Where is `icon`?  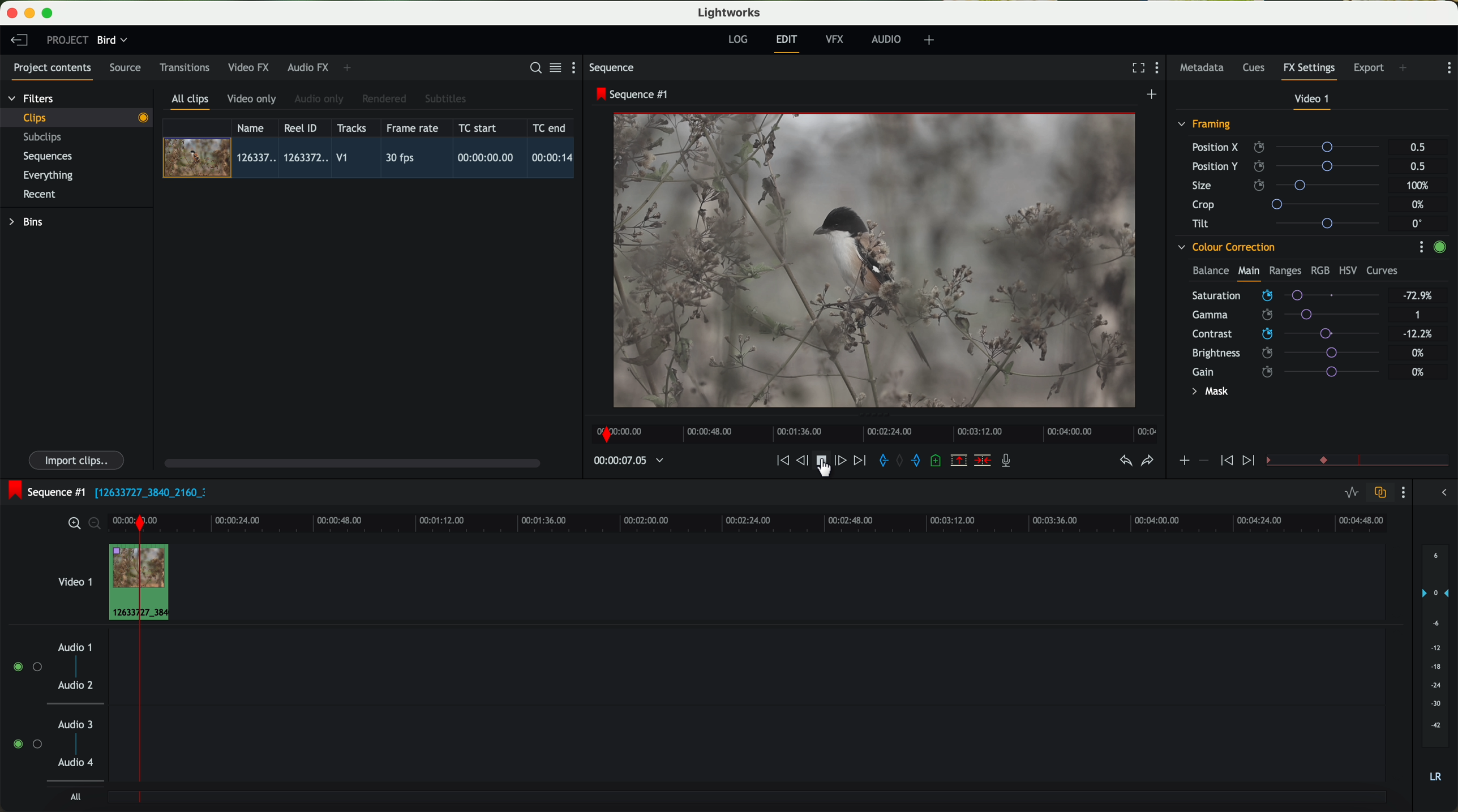 icon is located at coordinates (1183, 462).